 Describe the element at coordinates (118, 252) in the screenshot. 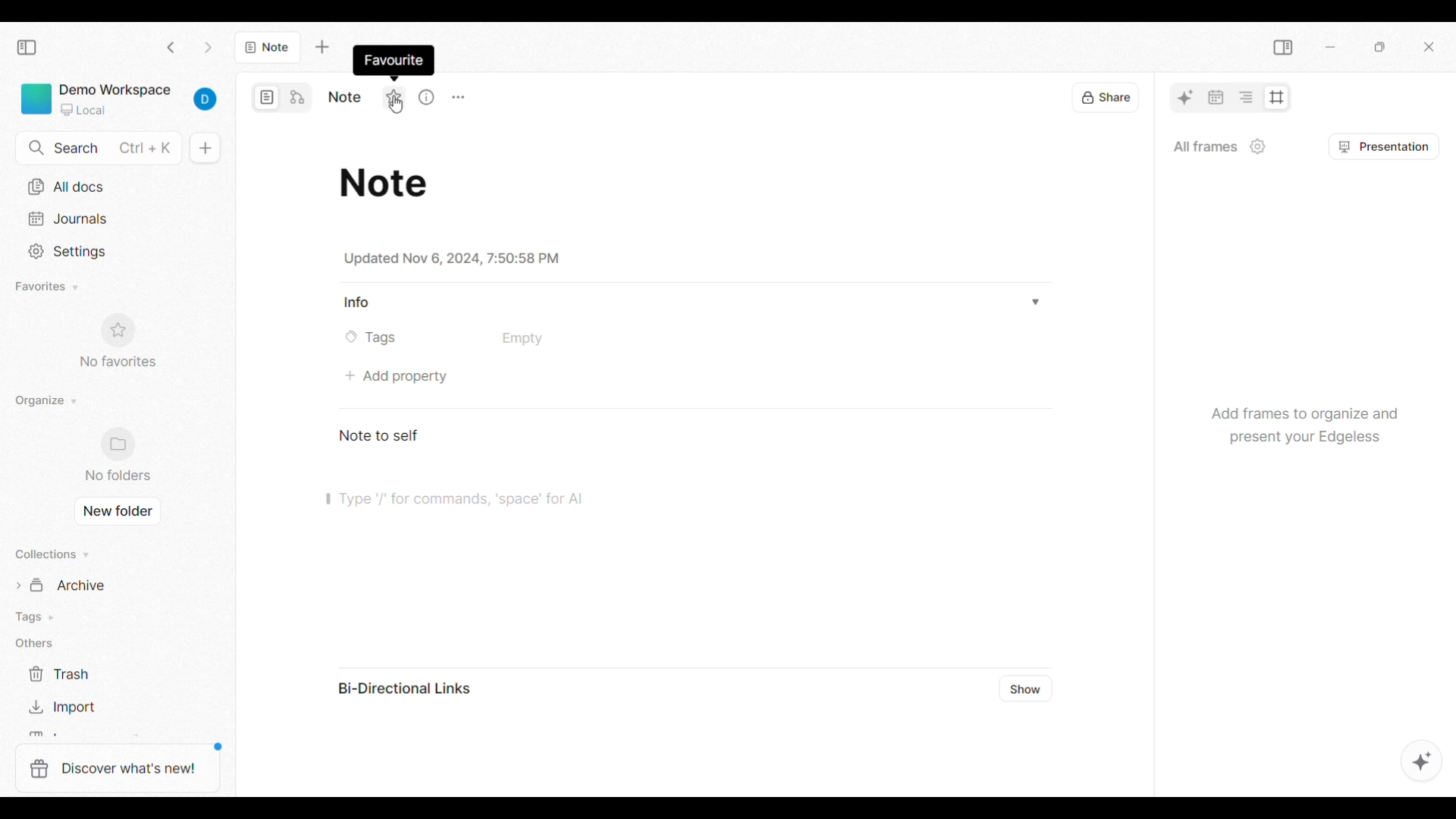

I see `Settings` at that location.